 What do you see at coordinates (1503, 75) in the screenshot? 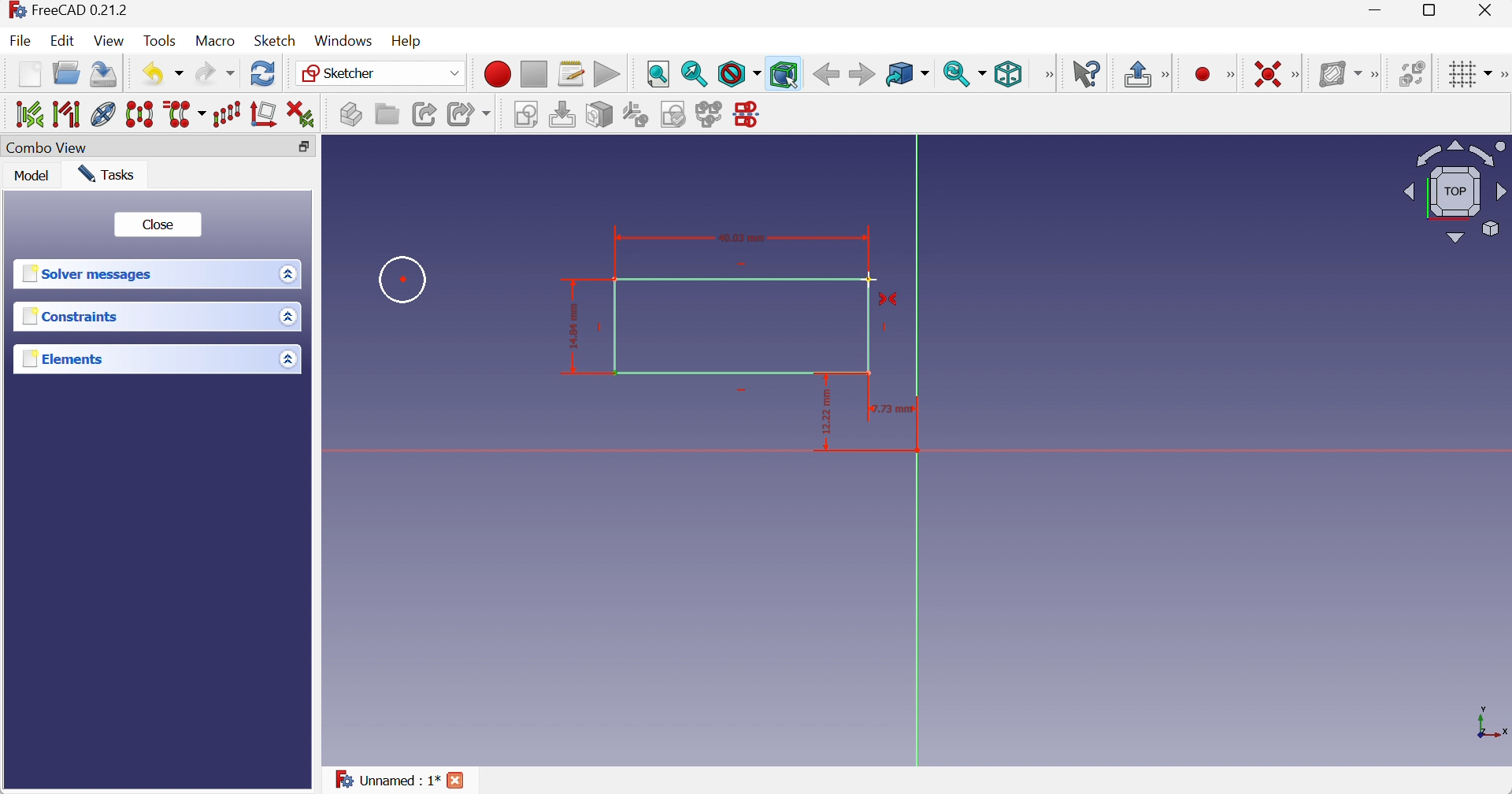
I see `[Sketcher edit tools]` at bounding box center [1503, 75].